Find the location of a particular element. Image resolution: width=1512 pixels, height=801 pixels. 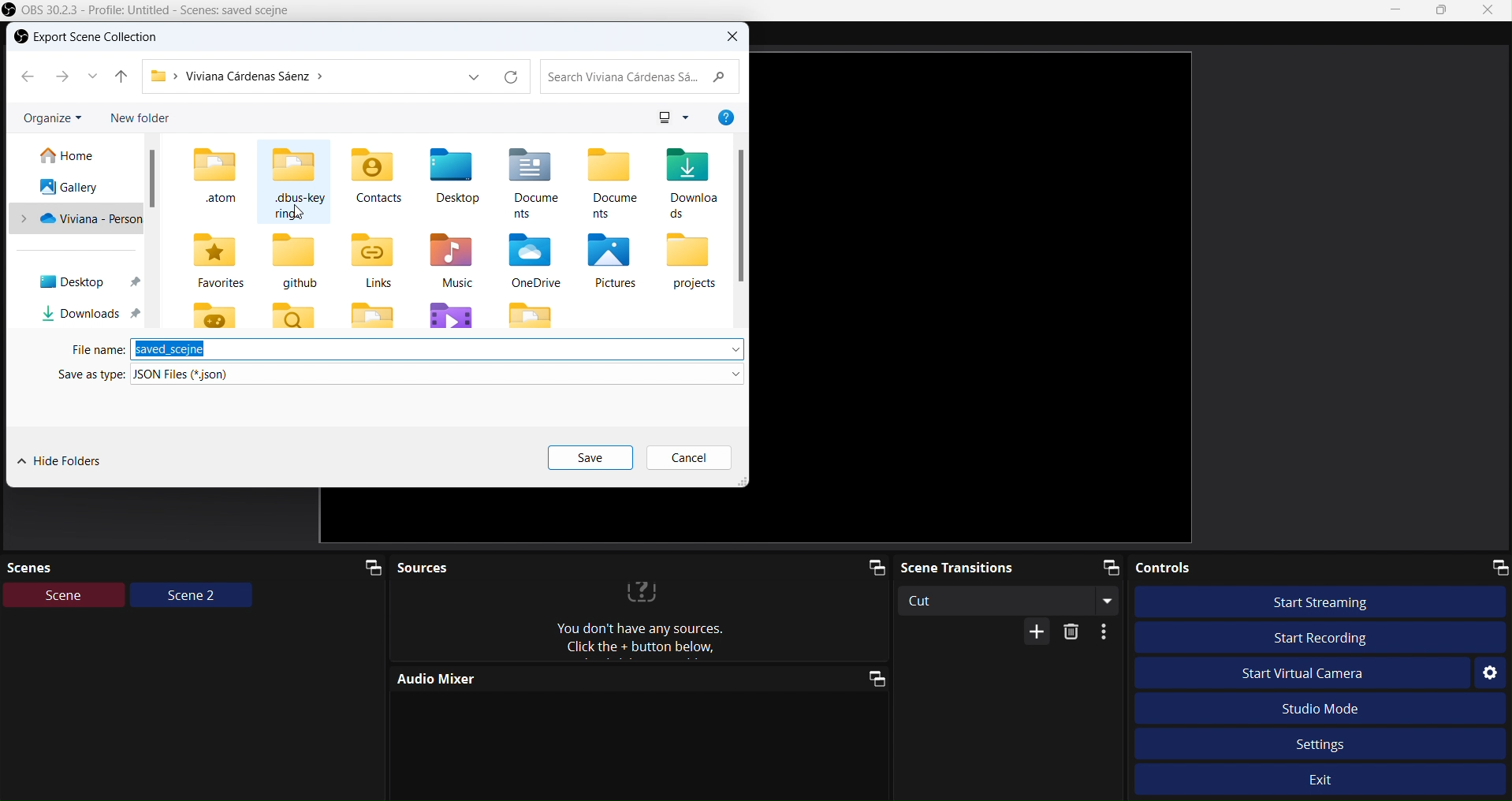

More is located at coordinates (1039, 631).